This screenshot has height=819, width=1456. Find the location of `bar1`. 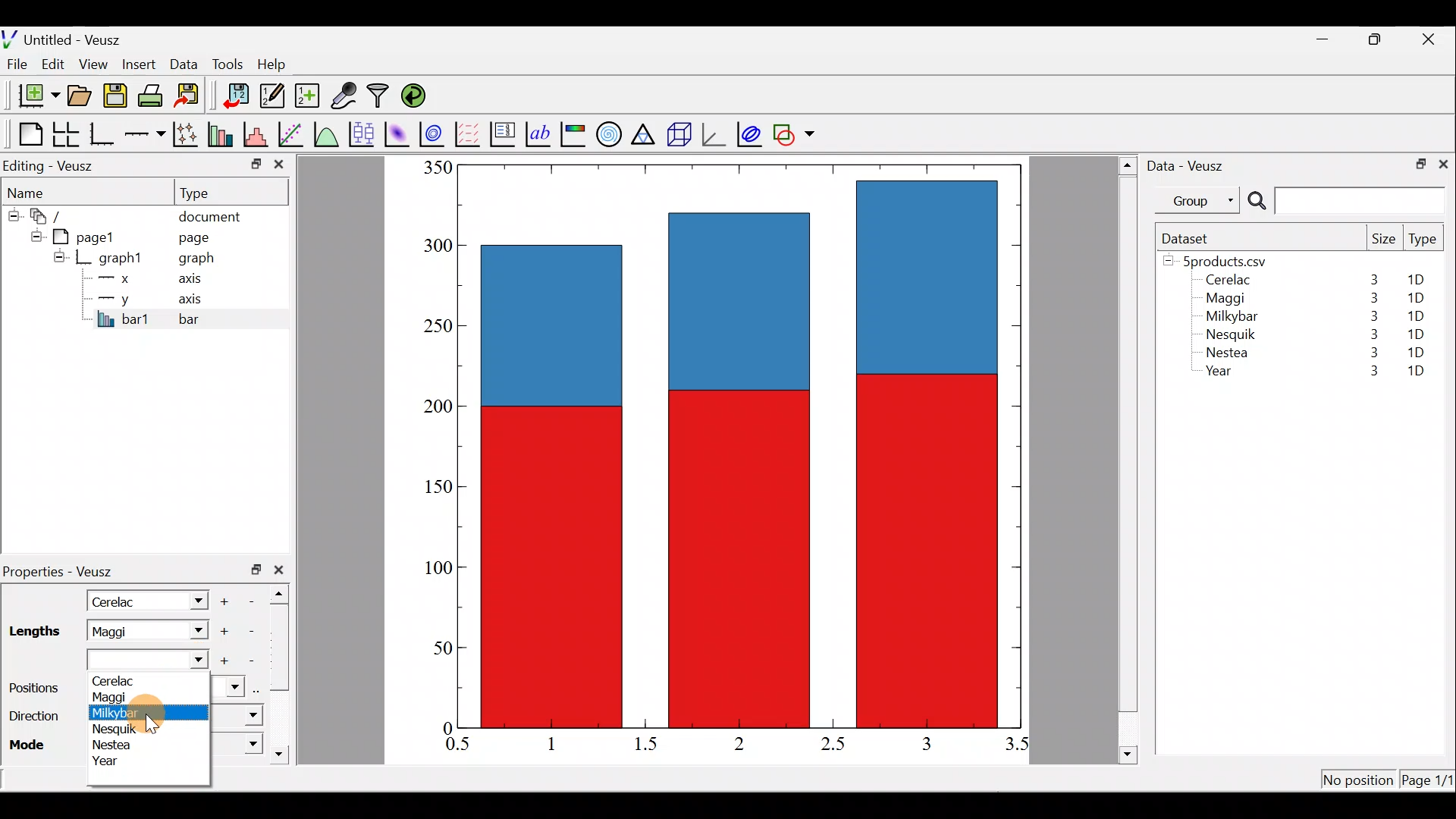

bar1 is located at coordinates (124, 318).